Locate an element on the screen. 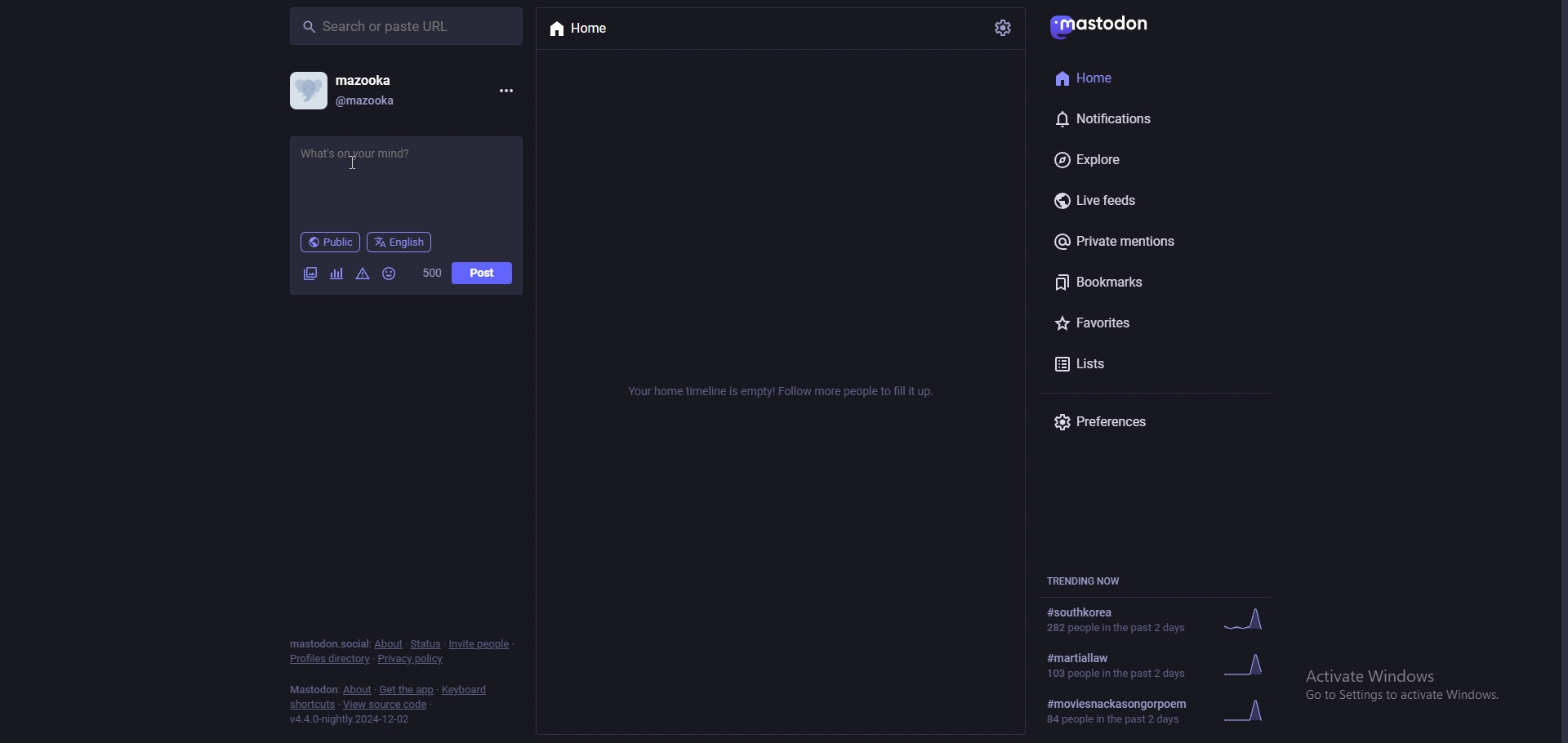 Image resolution: width=1568 pixels, height=743 pixels. lists is located at coordinates (1139, 362).